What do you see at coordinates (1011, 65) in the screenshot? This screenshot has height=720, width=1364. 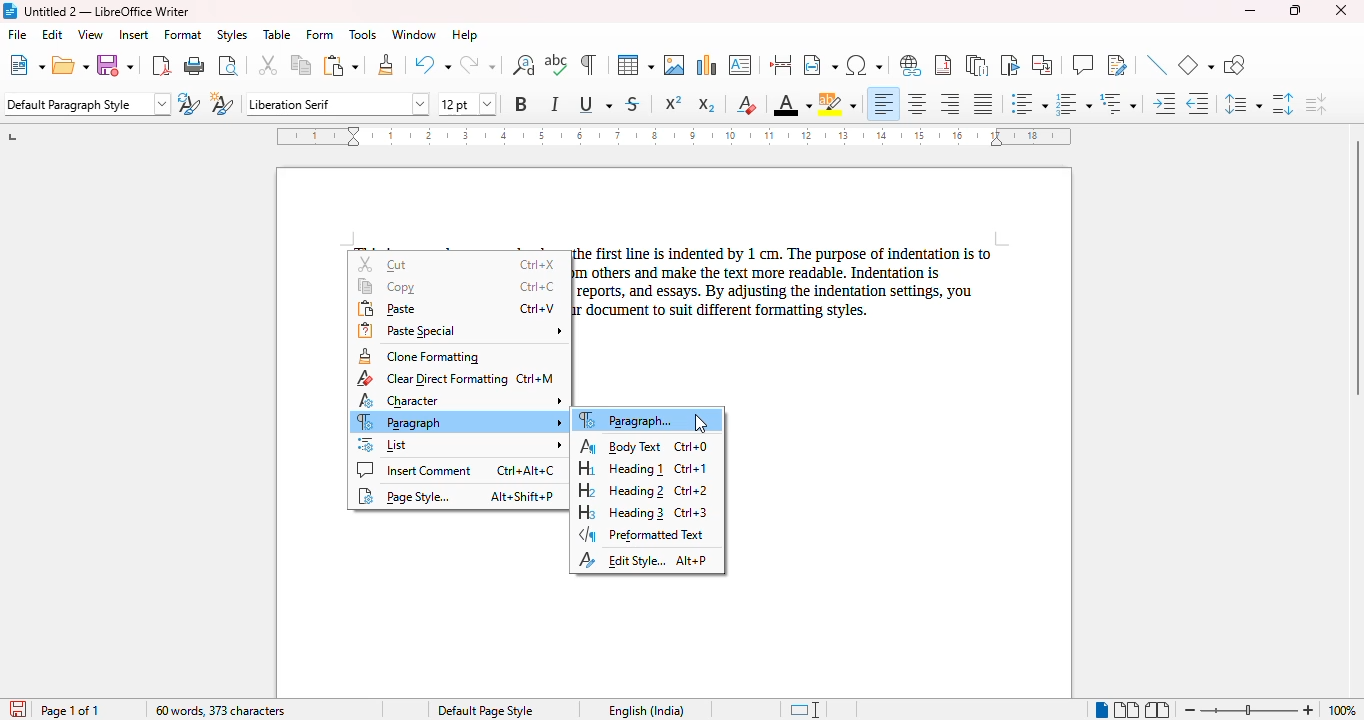 I see `insert bookmark` at bounding box center [1011, 65].